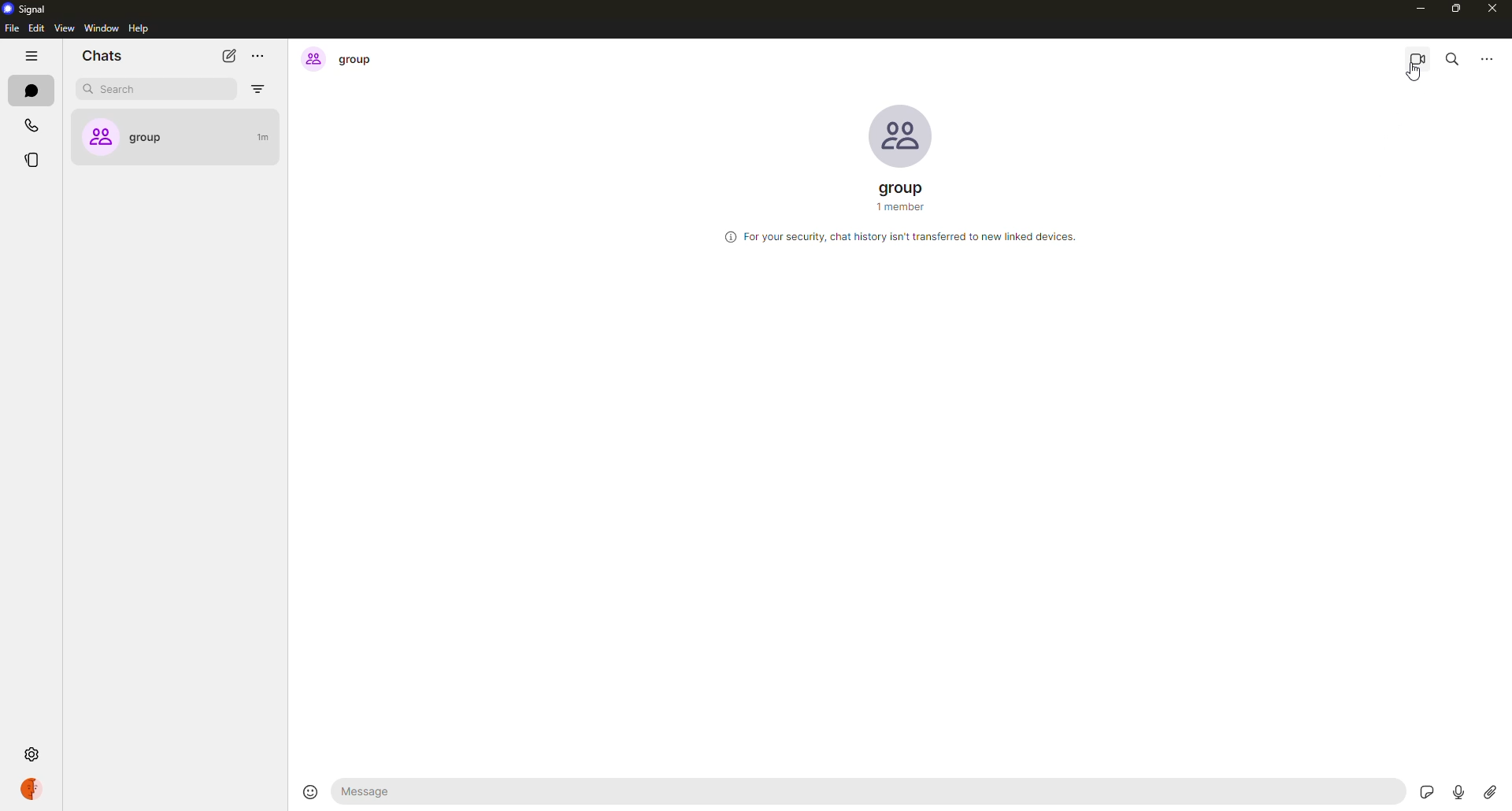 The image size is (1512, 811). Describe the element at coordinates (142, 29) in the screenshot. I see `help` at that location.